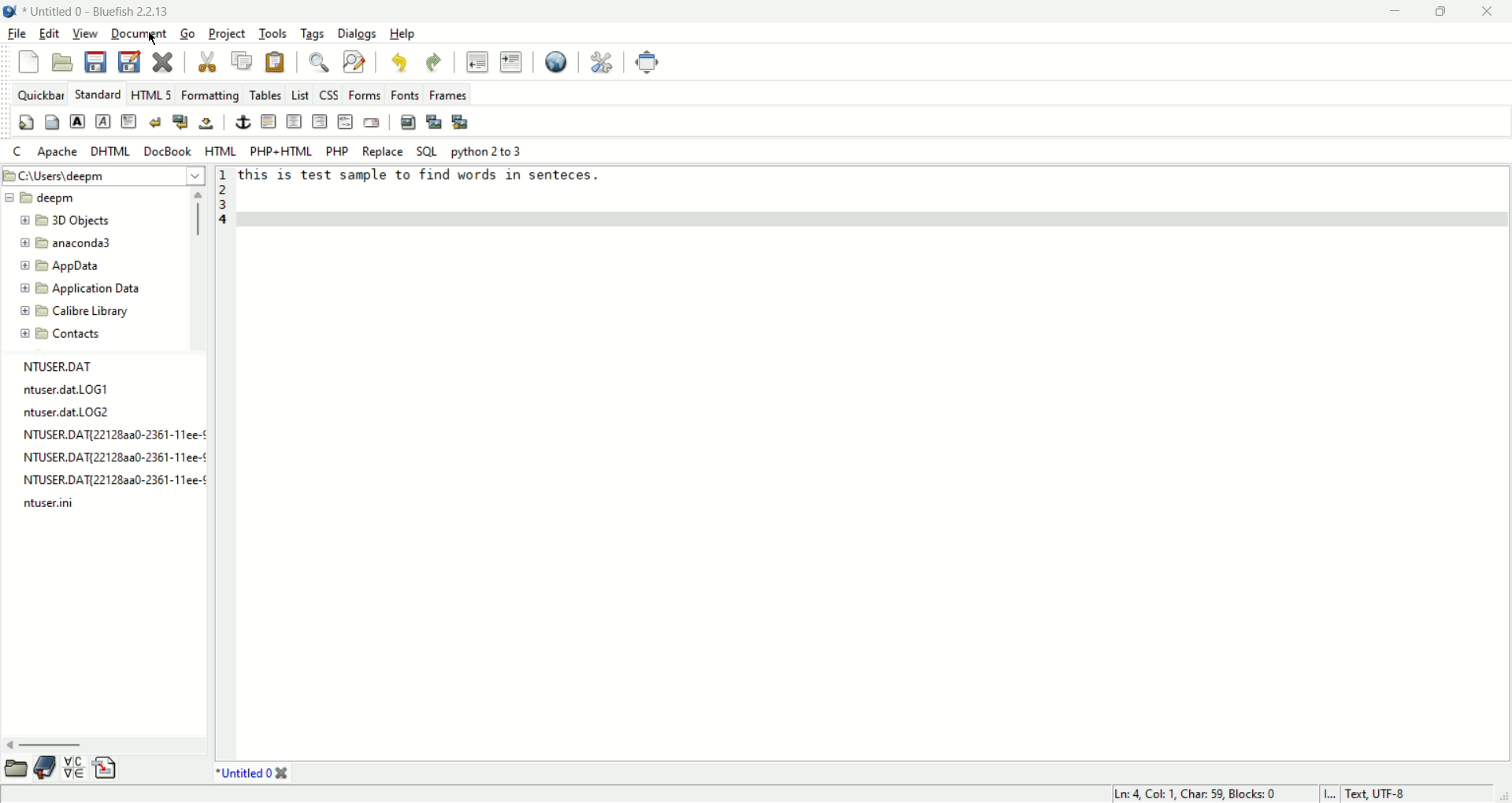 The width and height of the screenshot is (1512, 803). What do you see at coordinates (74, 769) in the screenshot?
I see `charmap` at bounding box center [74, 769].